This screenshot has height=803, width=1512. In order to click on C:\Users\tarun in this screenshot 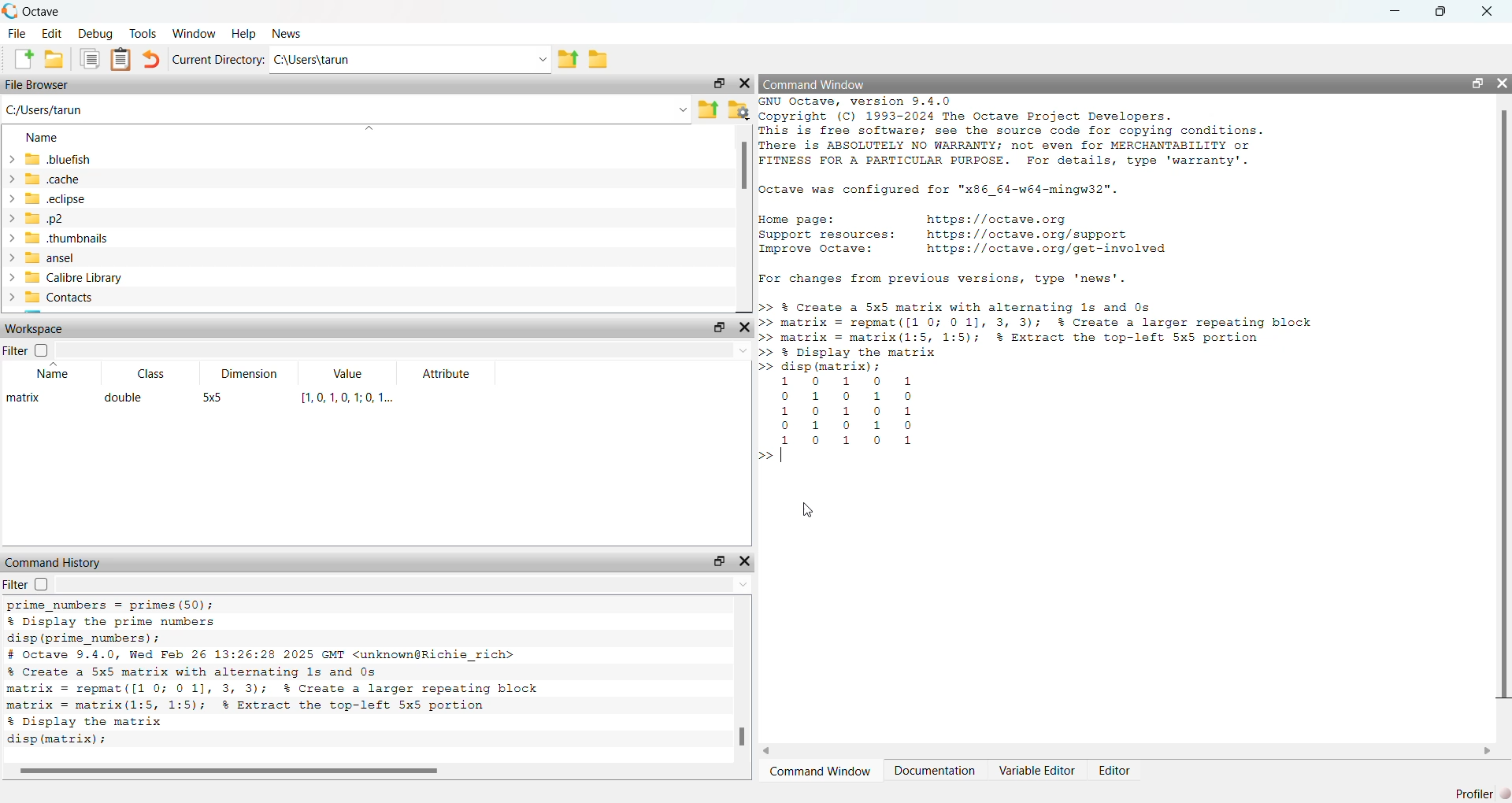, I will do `click(313, 59)`.